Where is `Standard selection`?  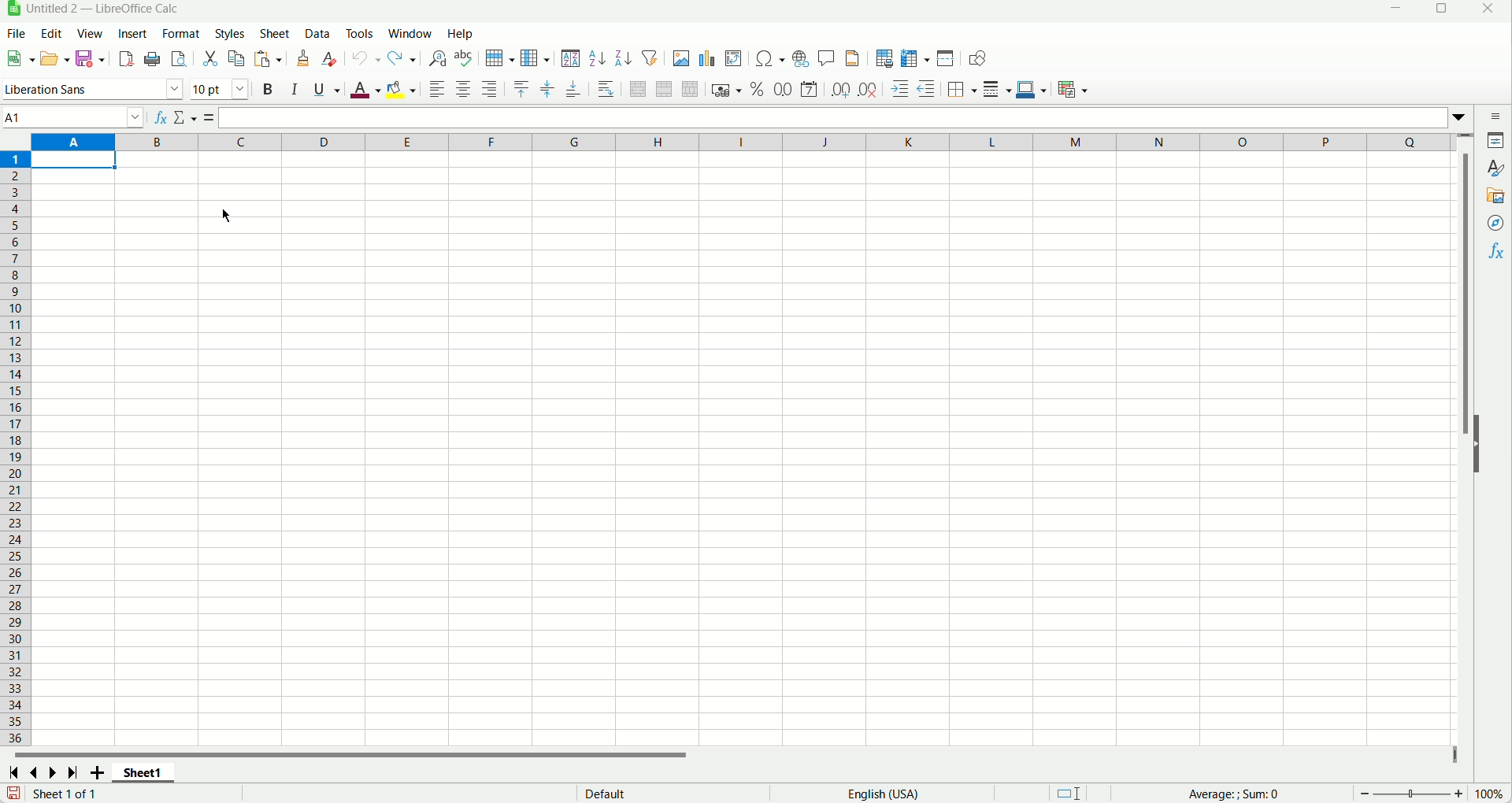 Standard selection is located at coordinates (1067, 793).